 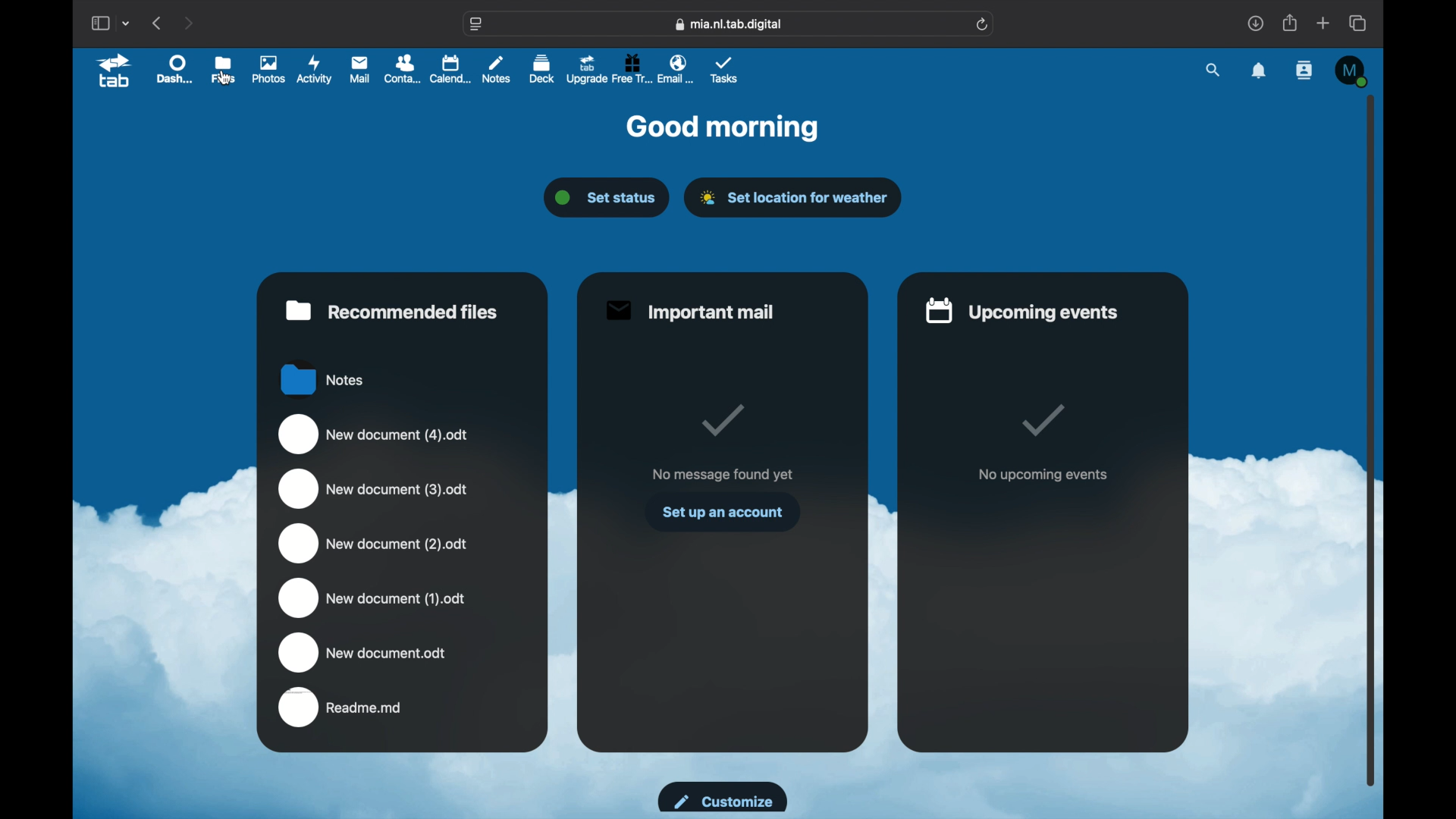 What do you see at coordinates (631, 68) in the screenshot?
I see `free trial` at bounding box center [631, 68].